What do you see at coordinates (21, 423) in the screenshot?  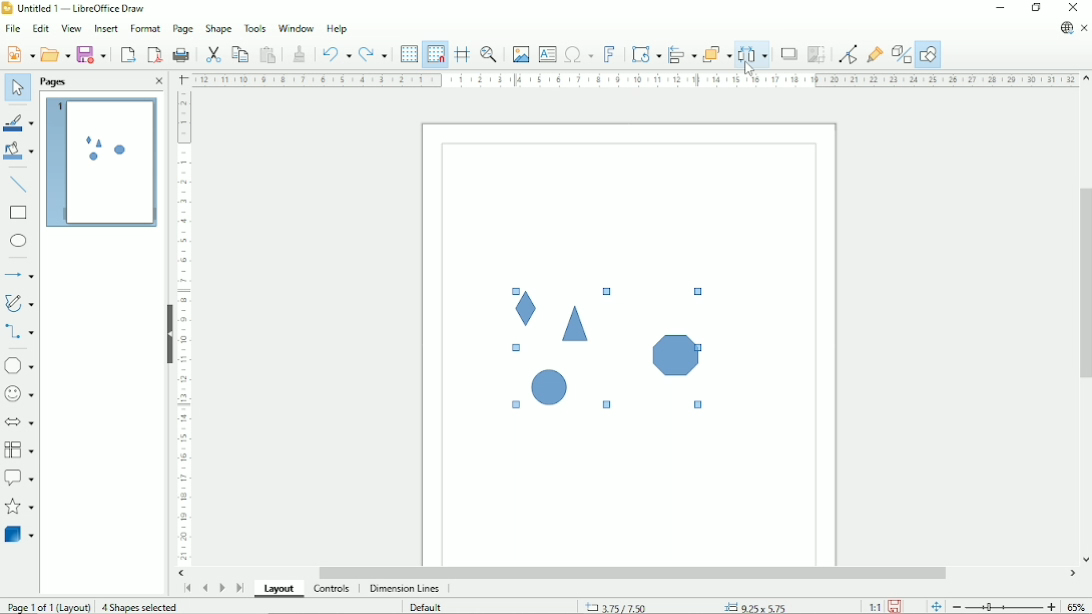 I see `Block arrows` at bounding box center [21, 423].